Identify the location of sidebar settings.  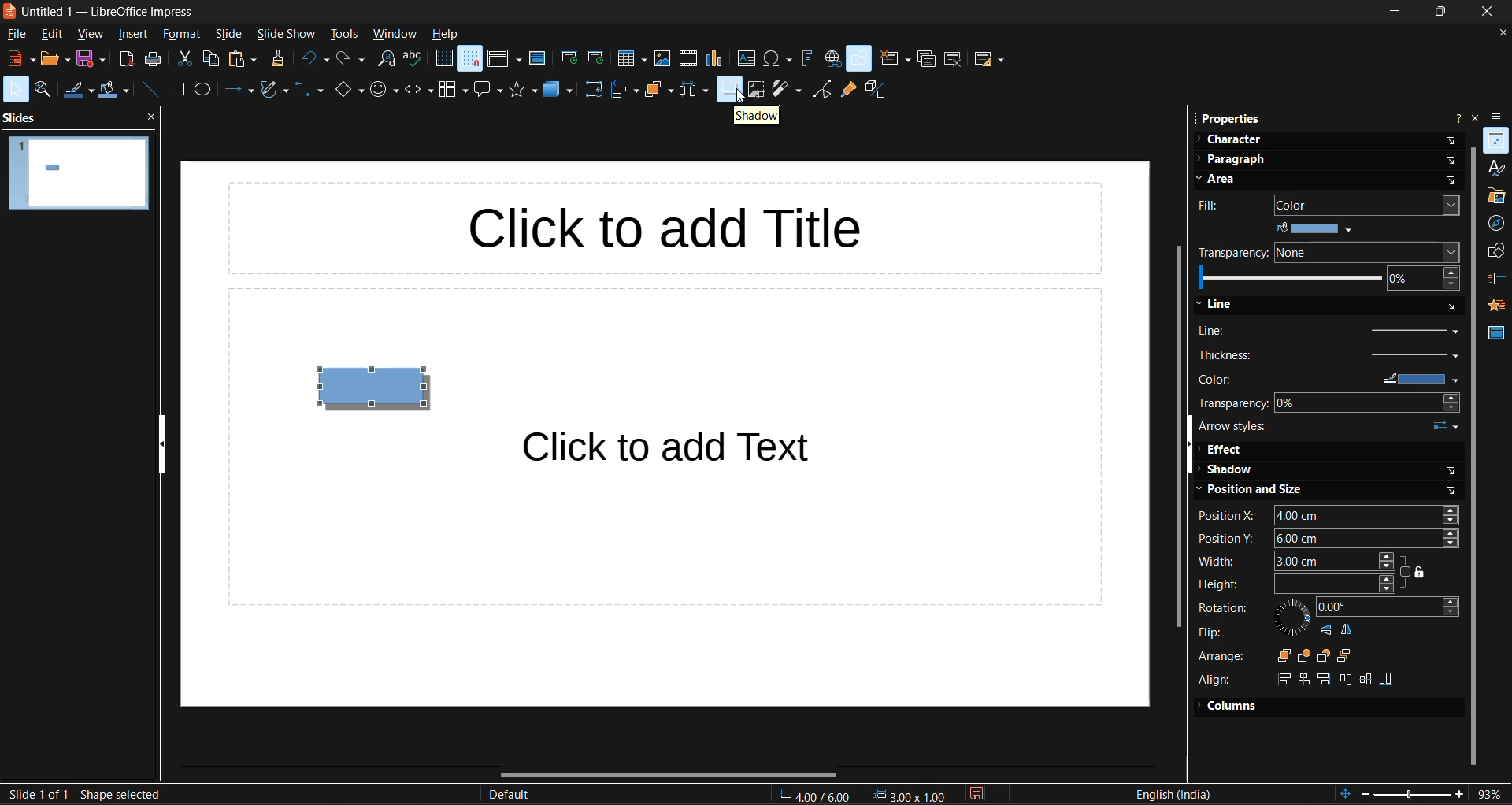
(1502, 112).